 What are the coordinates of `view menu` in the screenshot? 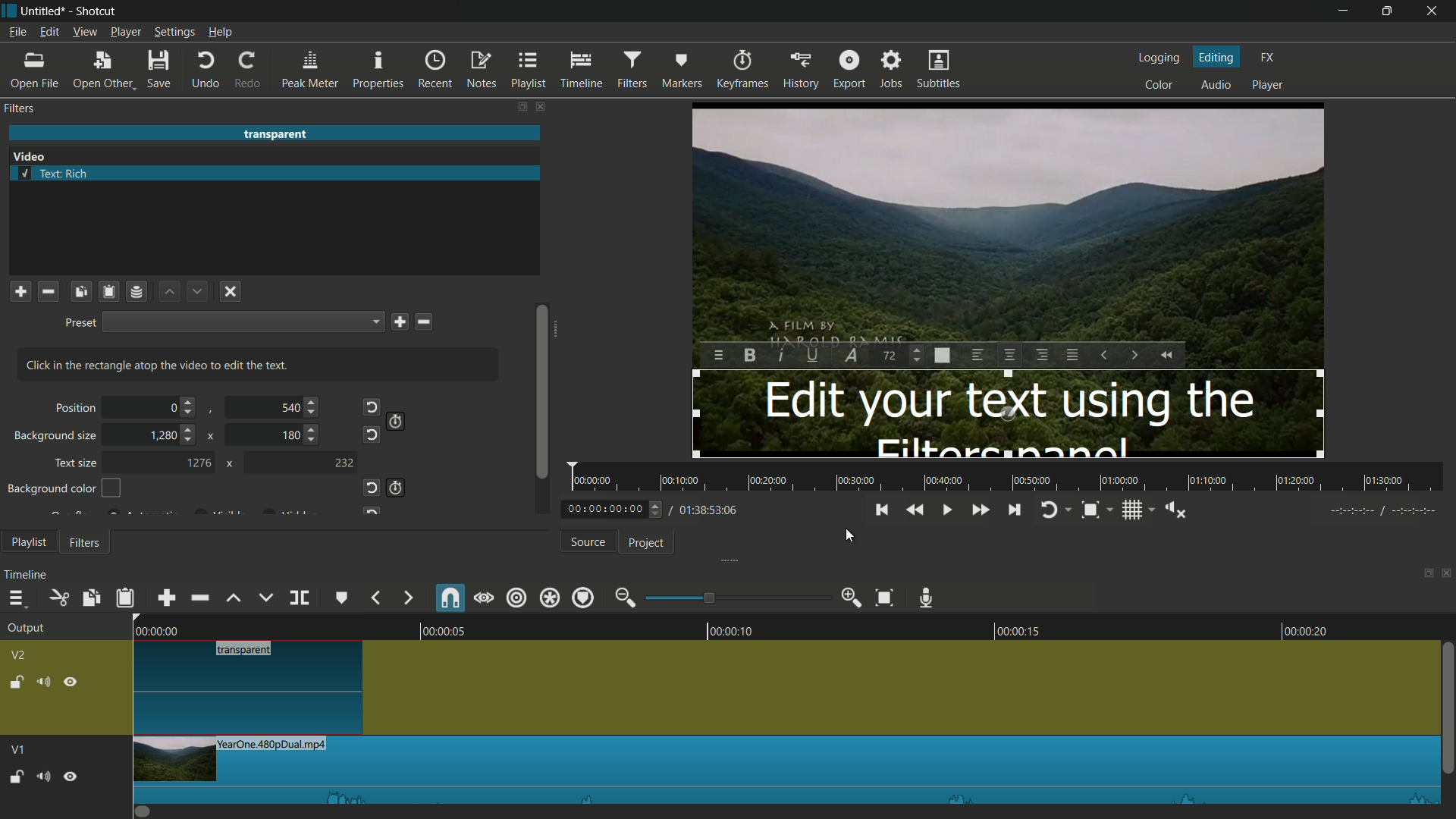 It's located at (86, 32).